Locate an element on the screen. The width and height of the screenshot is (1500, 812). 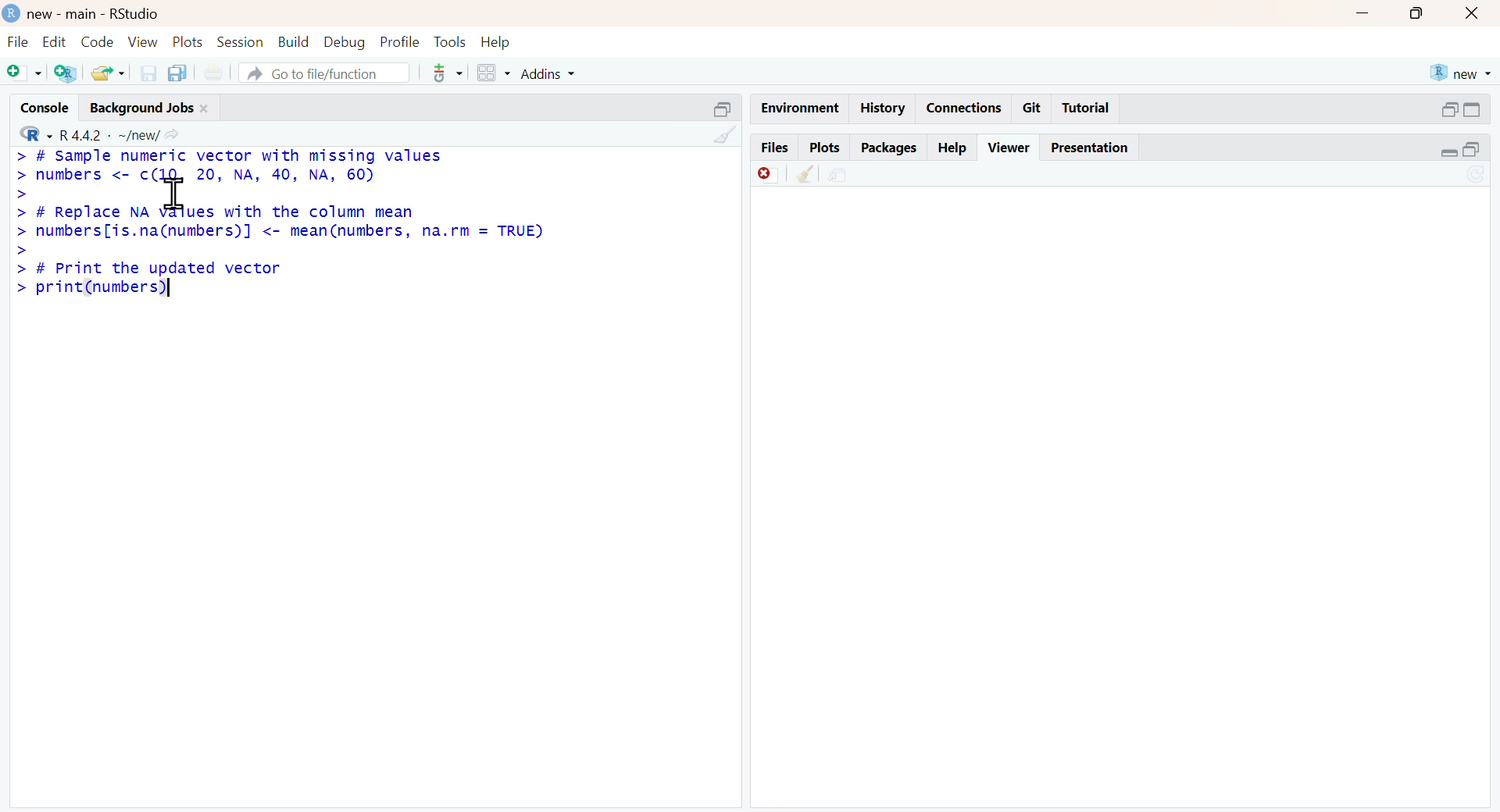
cursor is located at coordinates (175, 192).